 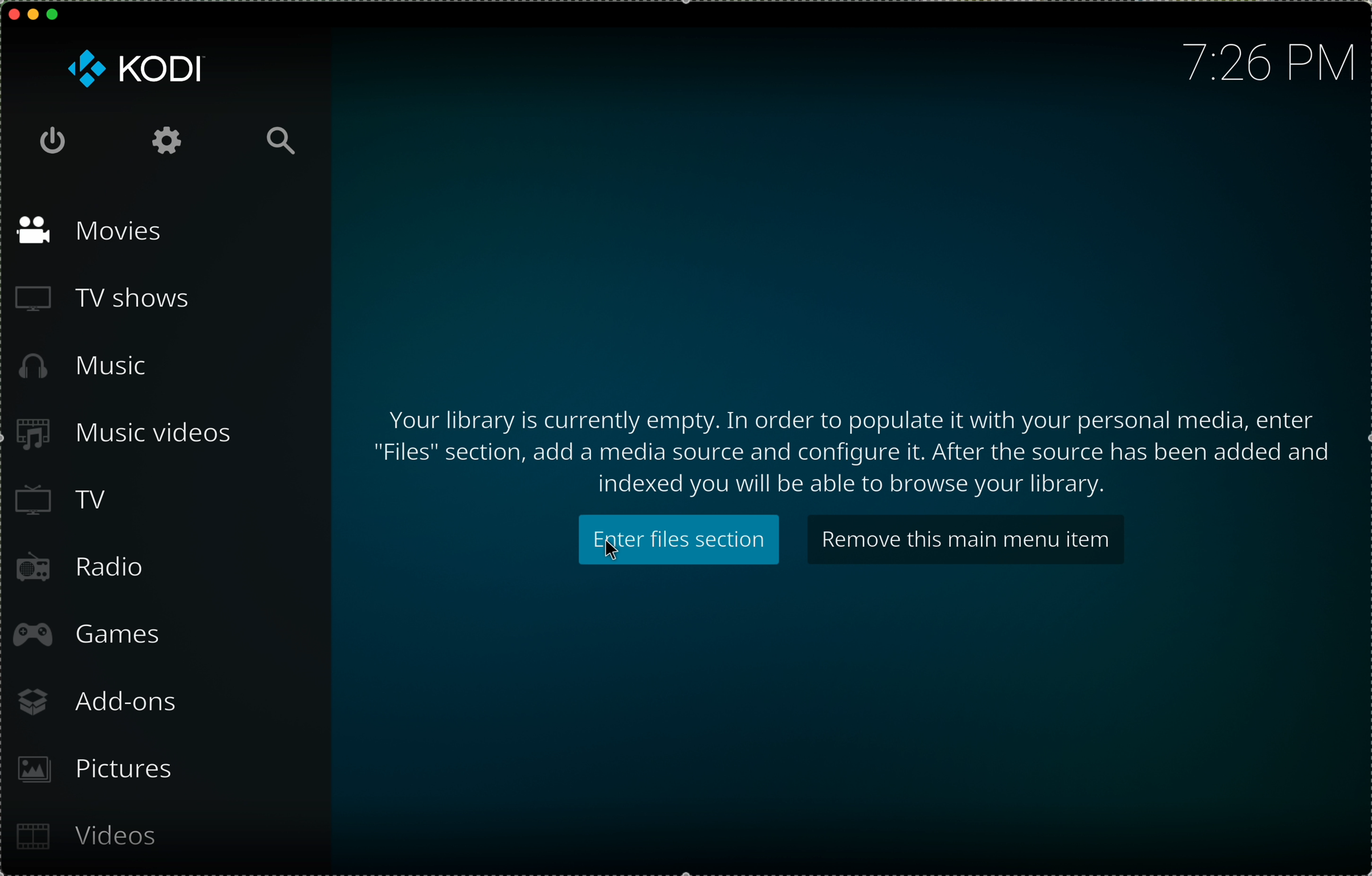 I want to click on settings, so click(x=162, y=141).